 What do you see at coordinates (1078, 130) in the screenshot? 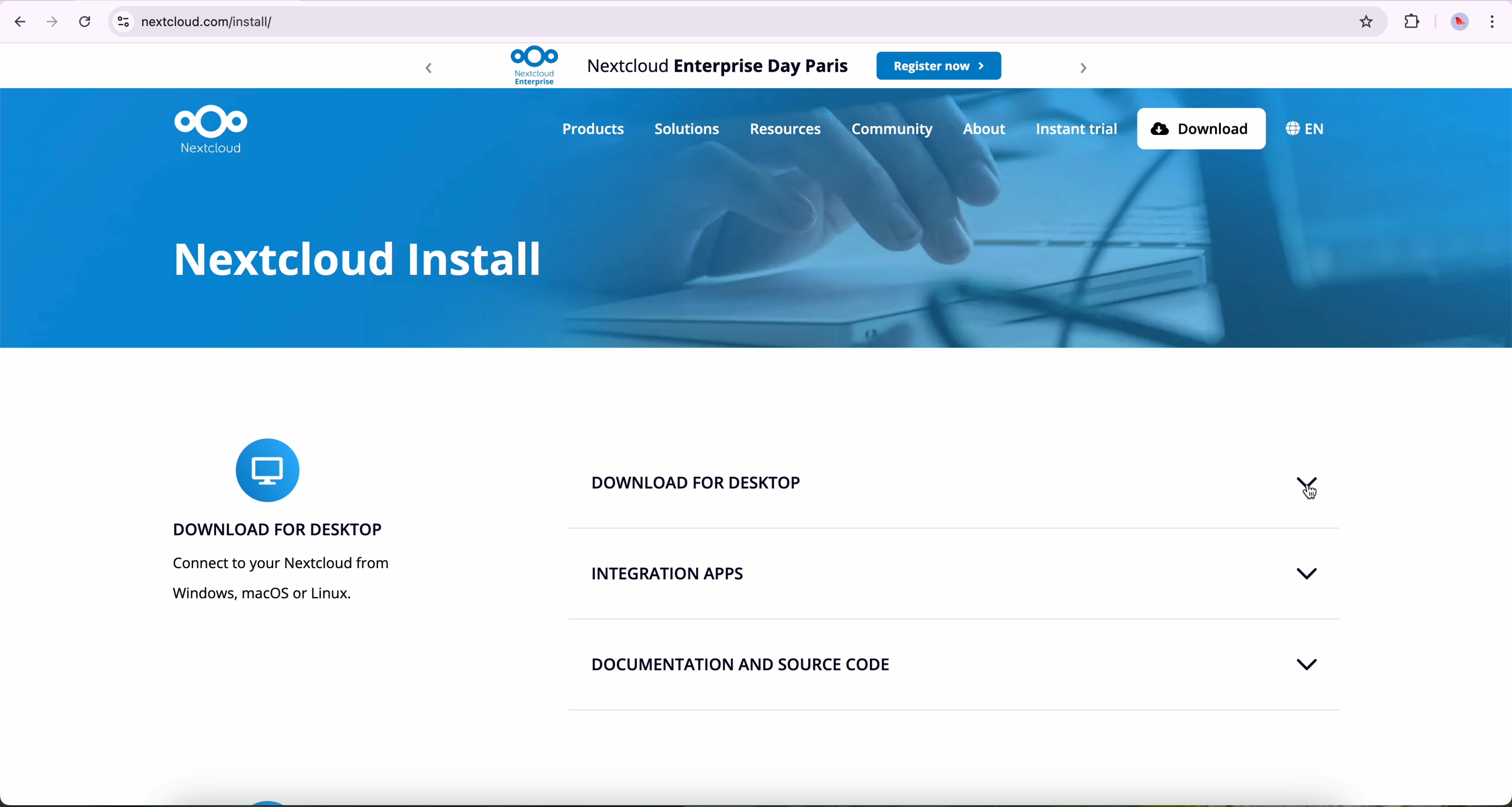
I see `instant trial` at bounding box center [1078, 130].